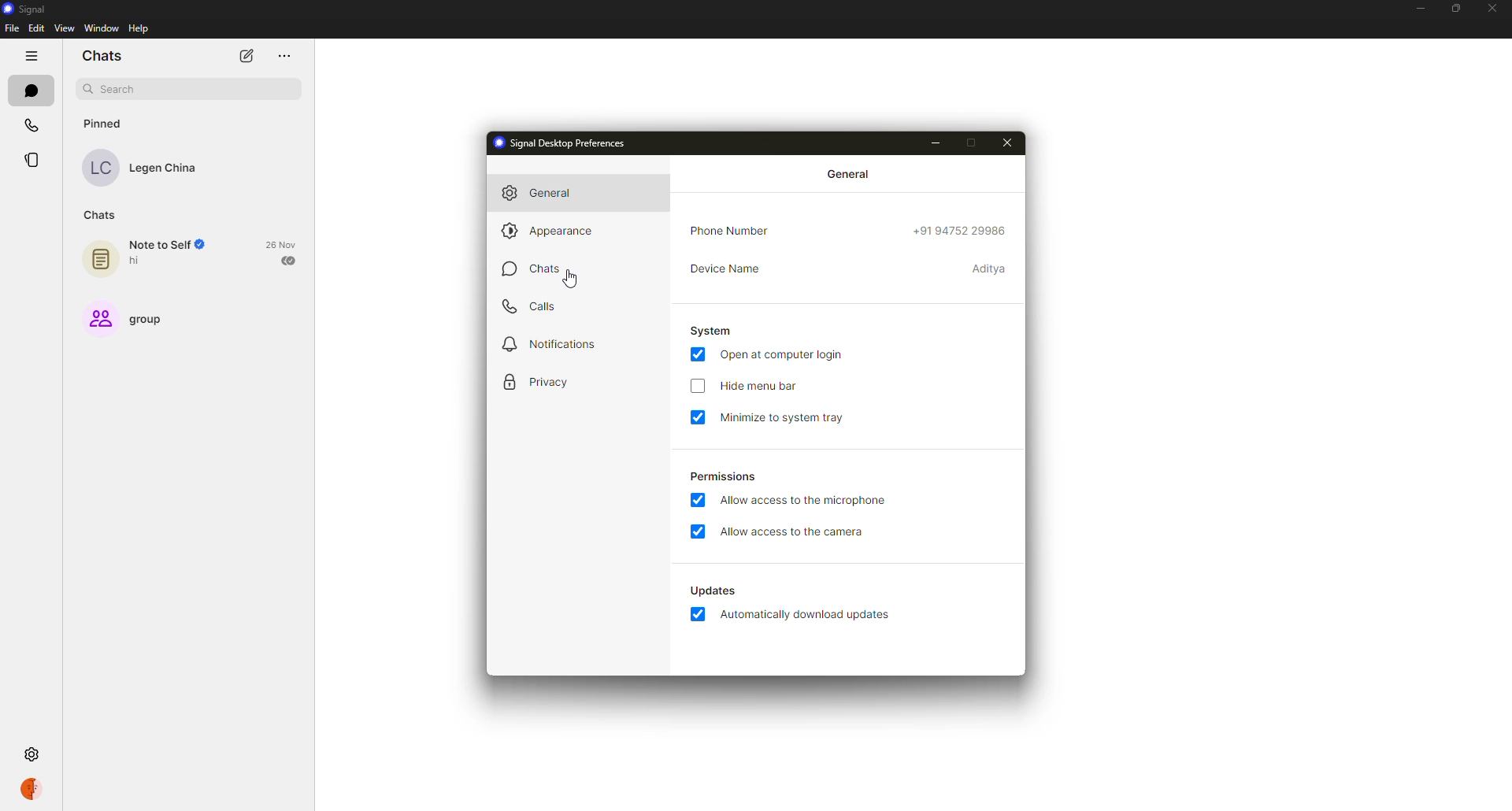 This screenshot has width=1512, height=811. What do you see at coordinates (186, 88) in the screenshot?
I see `search` at bounding box center [186, 88].